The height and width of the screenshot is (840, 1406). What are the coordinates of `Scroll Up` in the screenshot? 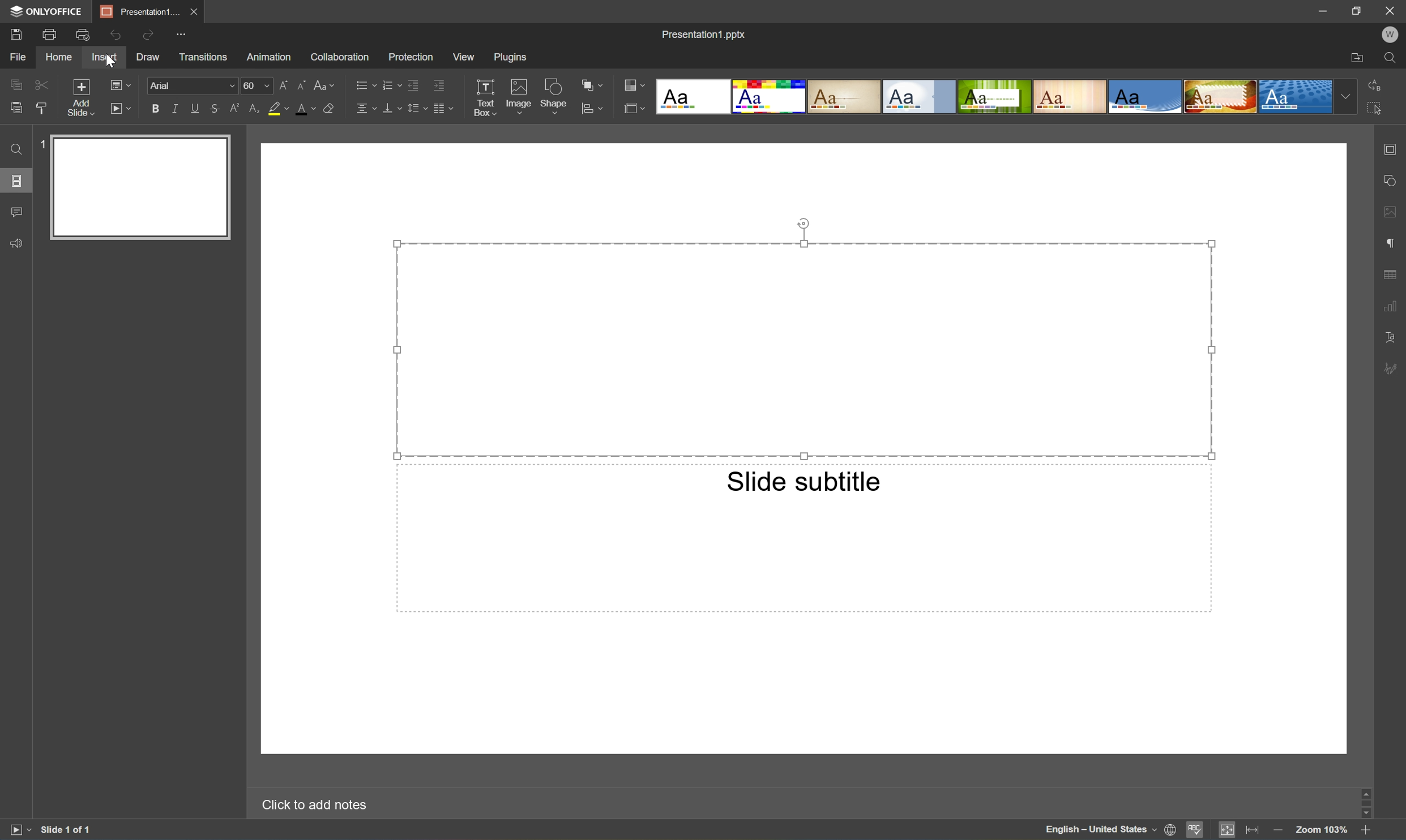 It's located at (1363, 790).